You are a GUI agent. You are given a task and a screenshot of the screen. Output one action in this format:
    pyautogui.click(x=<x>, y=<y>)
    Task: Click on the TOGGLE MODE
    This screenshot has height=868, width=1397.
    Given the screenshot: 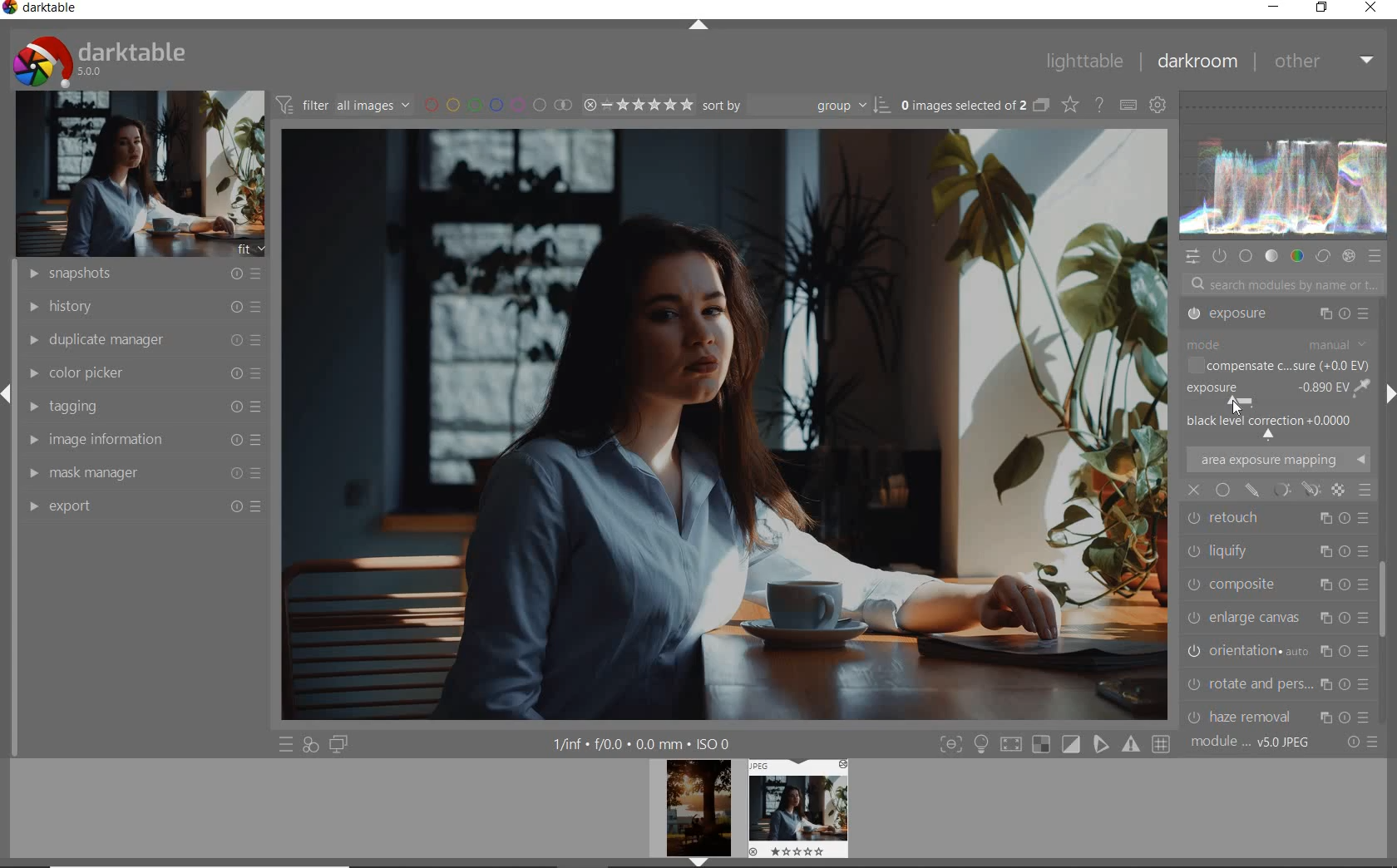 What is the action you would take?
    pyautogui.click(x=1054, y=744)
    